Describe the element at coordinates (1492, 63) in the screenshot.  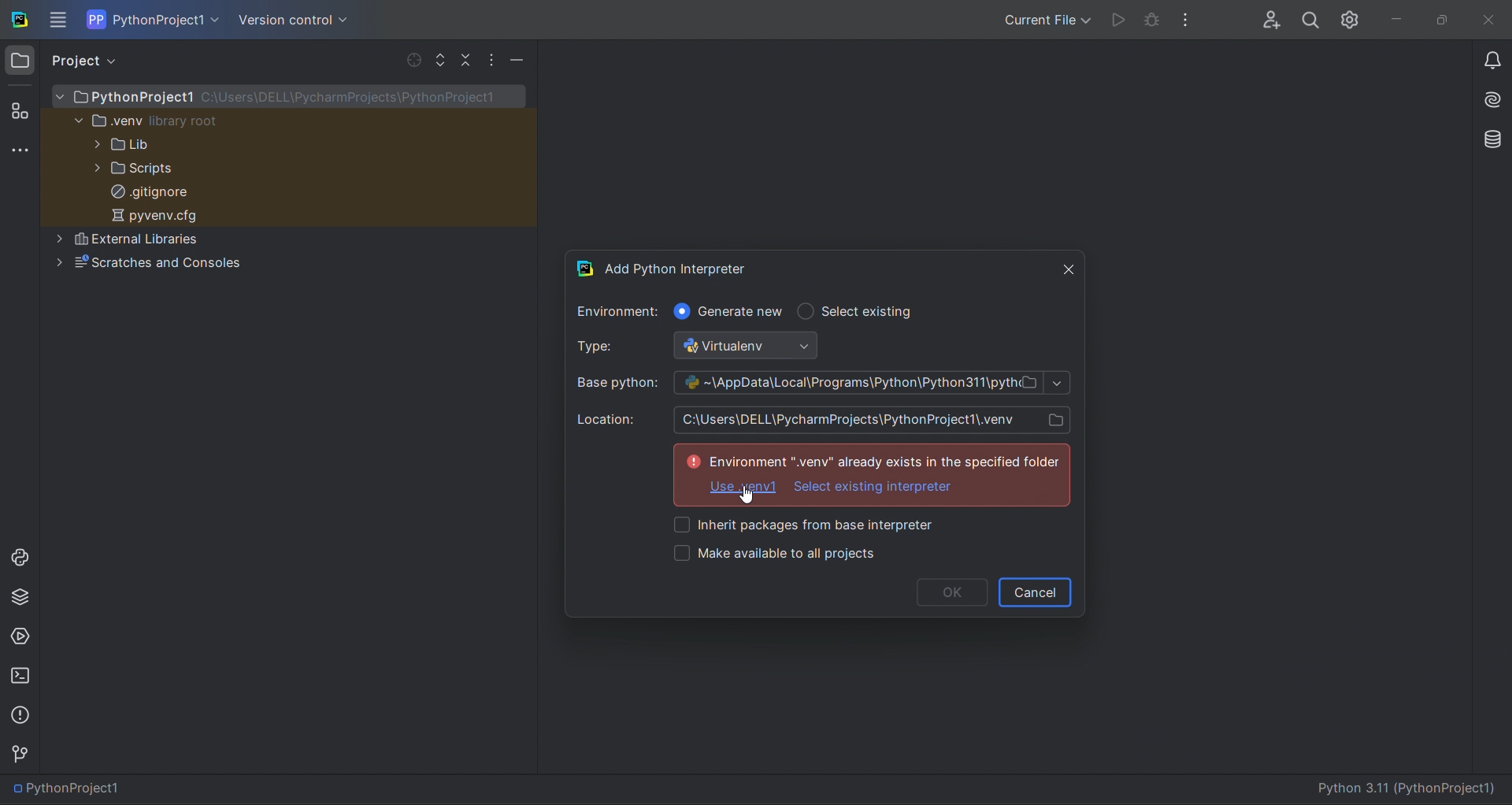
I see `notifications` at that location.